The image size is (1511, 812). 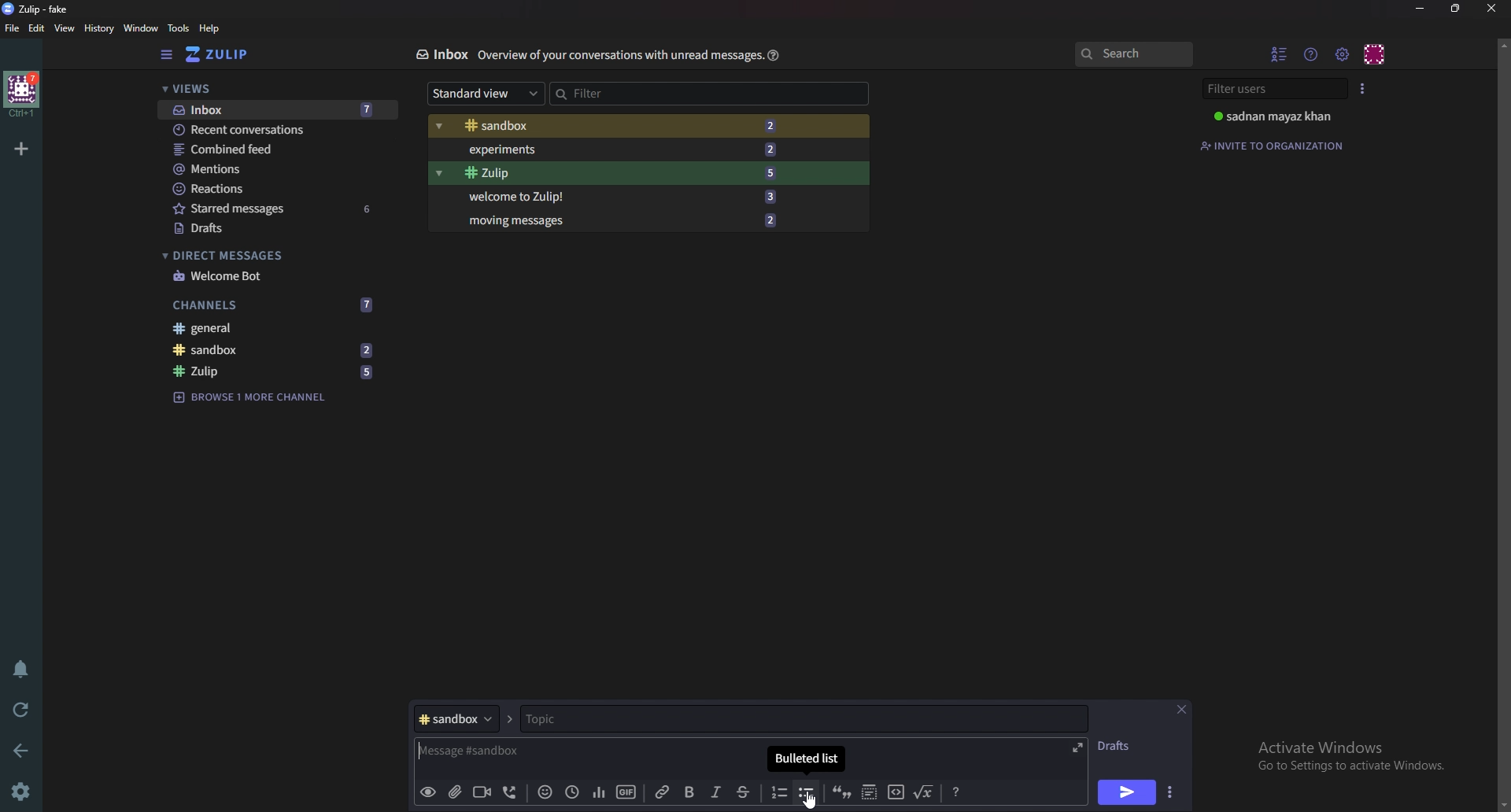 I want to click on Cursor, so click(x=814, y=799).